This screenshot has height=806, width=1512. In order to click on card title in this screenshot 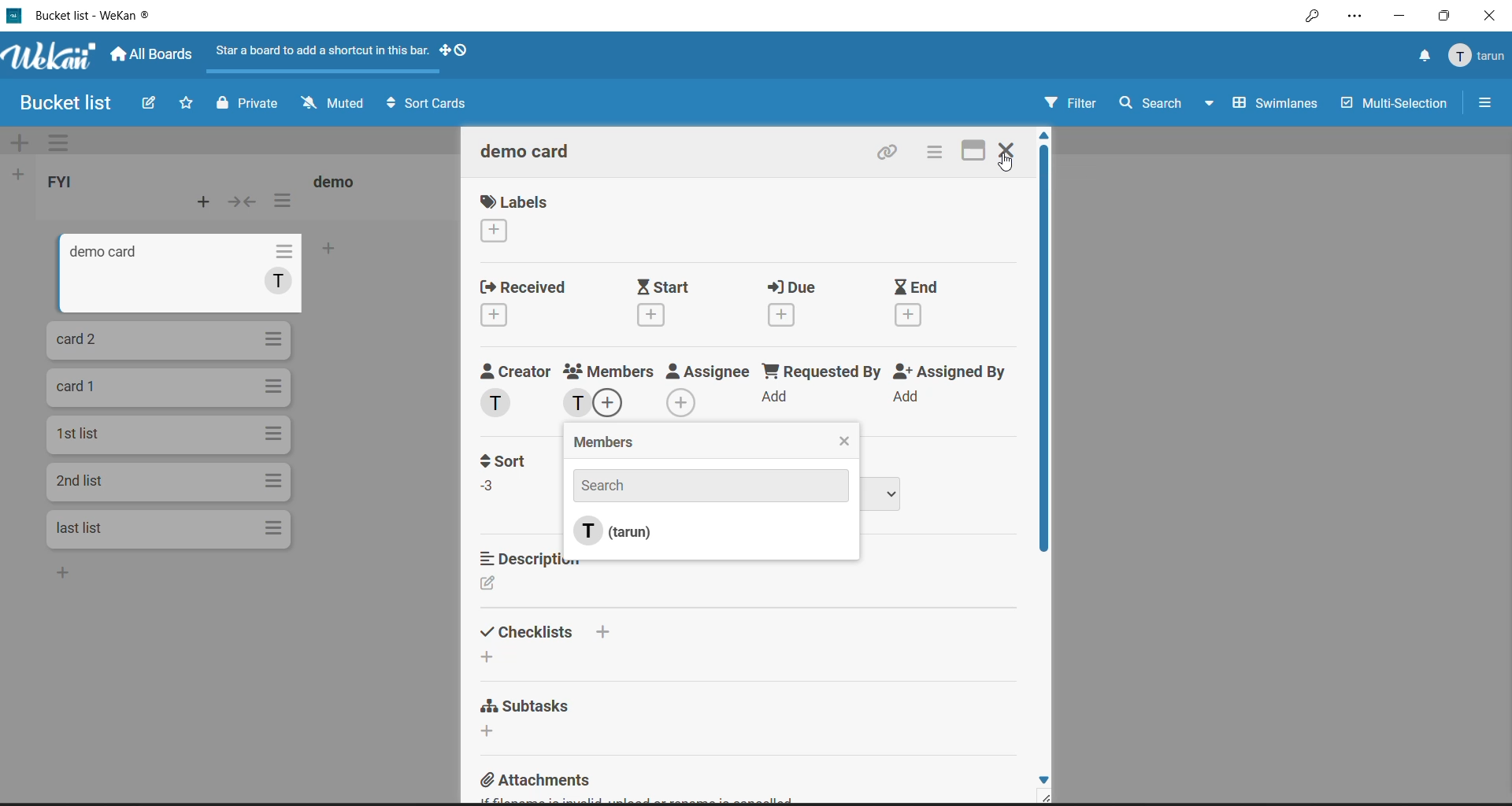, I will do `click(528, 152)`.